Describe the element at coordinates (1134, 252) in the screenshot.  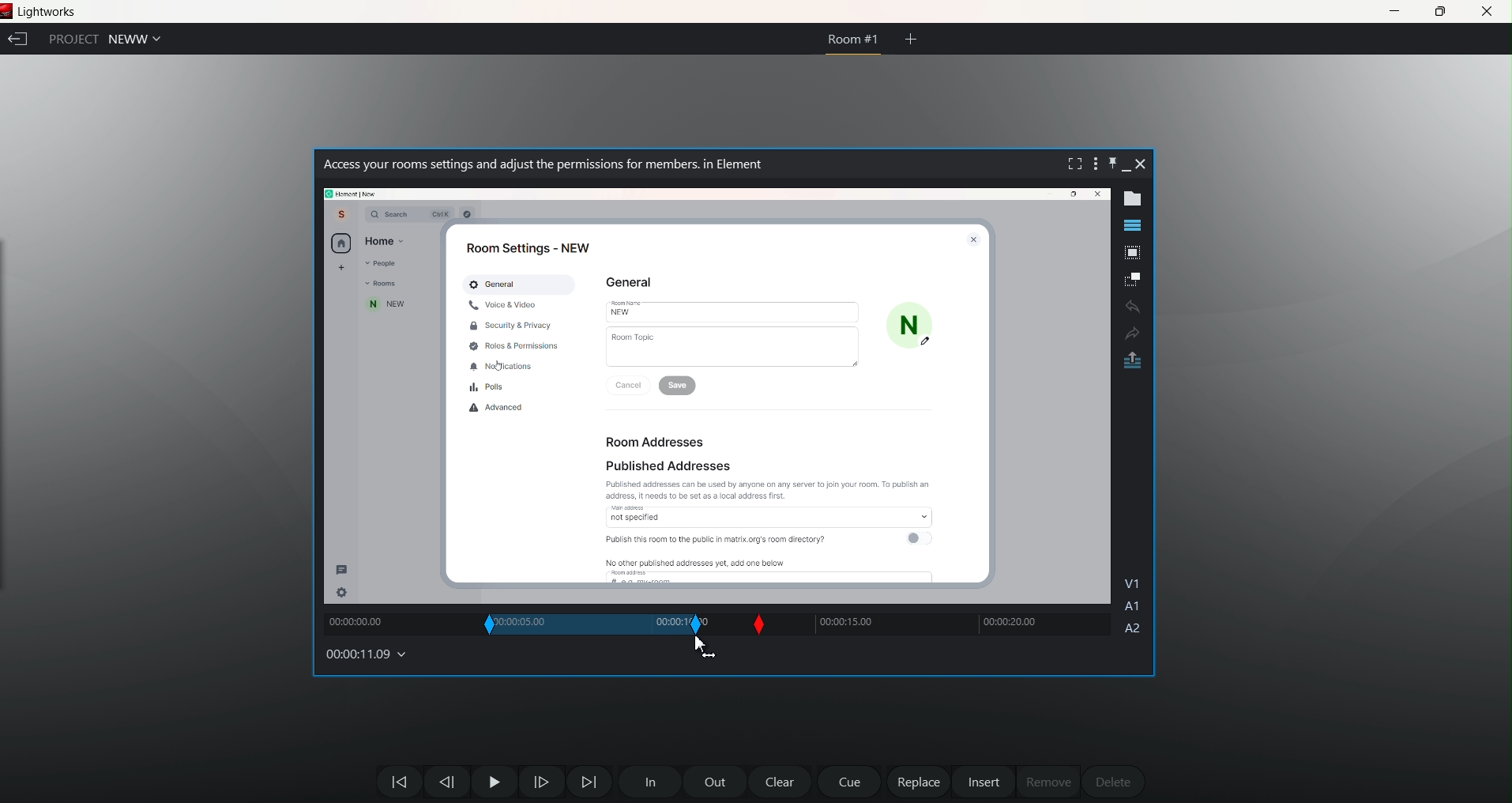
I see `pop out tile` at that location.